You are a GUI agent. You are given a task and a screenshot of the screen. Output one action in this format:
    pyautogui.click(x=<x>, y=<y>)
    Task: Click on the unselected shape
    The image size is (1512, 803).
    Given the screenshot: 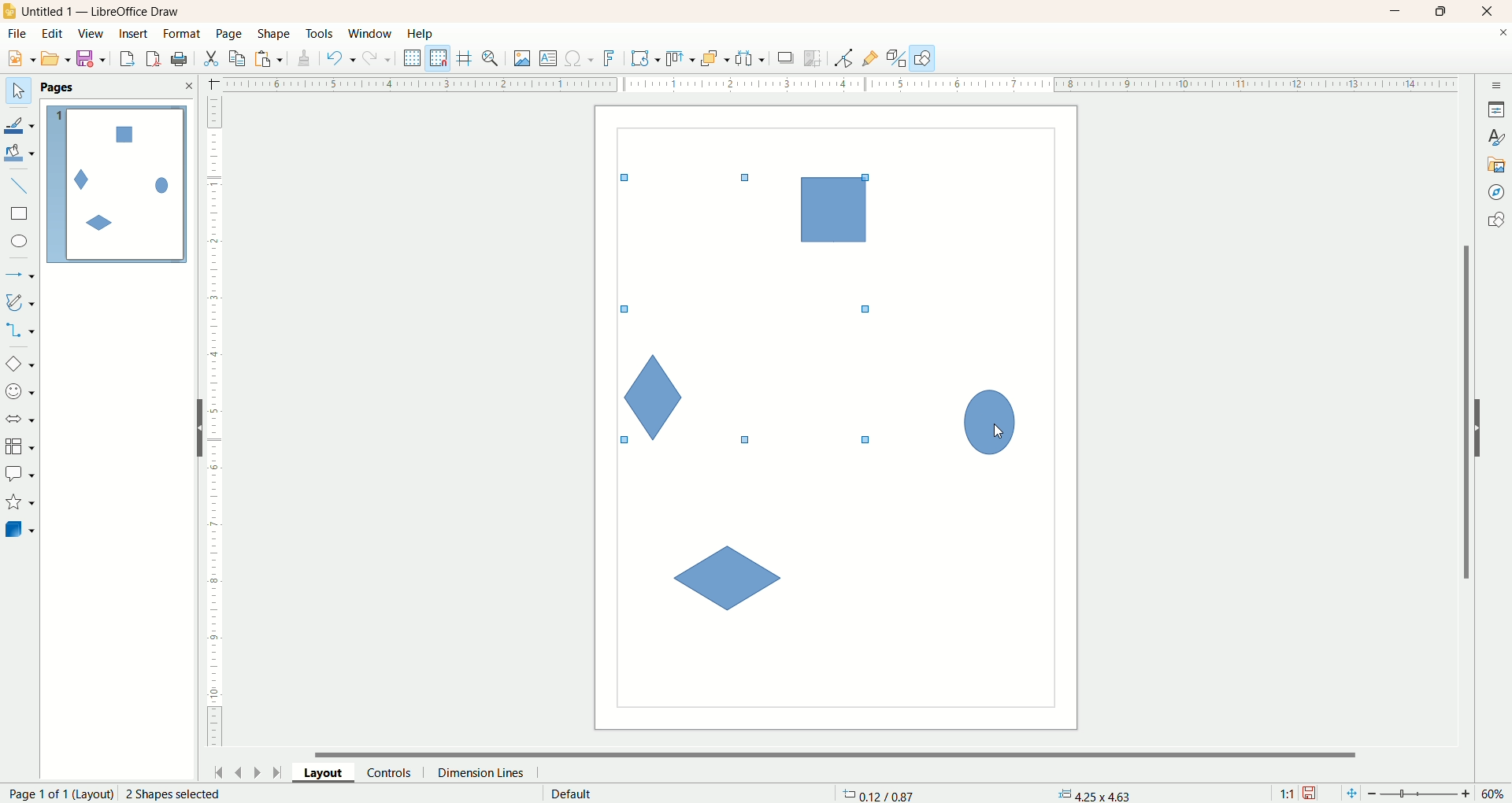 What is the action you would take?
    pyautogui.click(x=989, y=423)
    